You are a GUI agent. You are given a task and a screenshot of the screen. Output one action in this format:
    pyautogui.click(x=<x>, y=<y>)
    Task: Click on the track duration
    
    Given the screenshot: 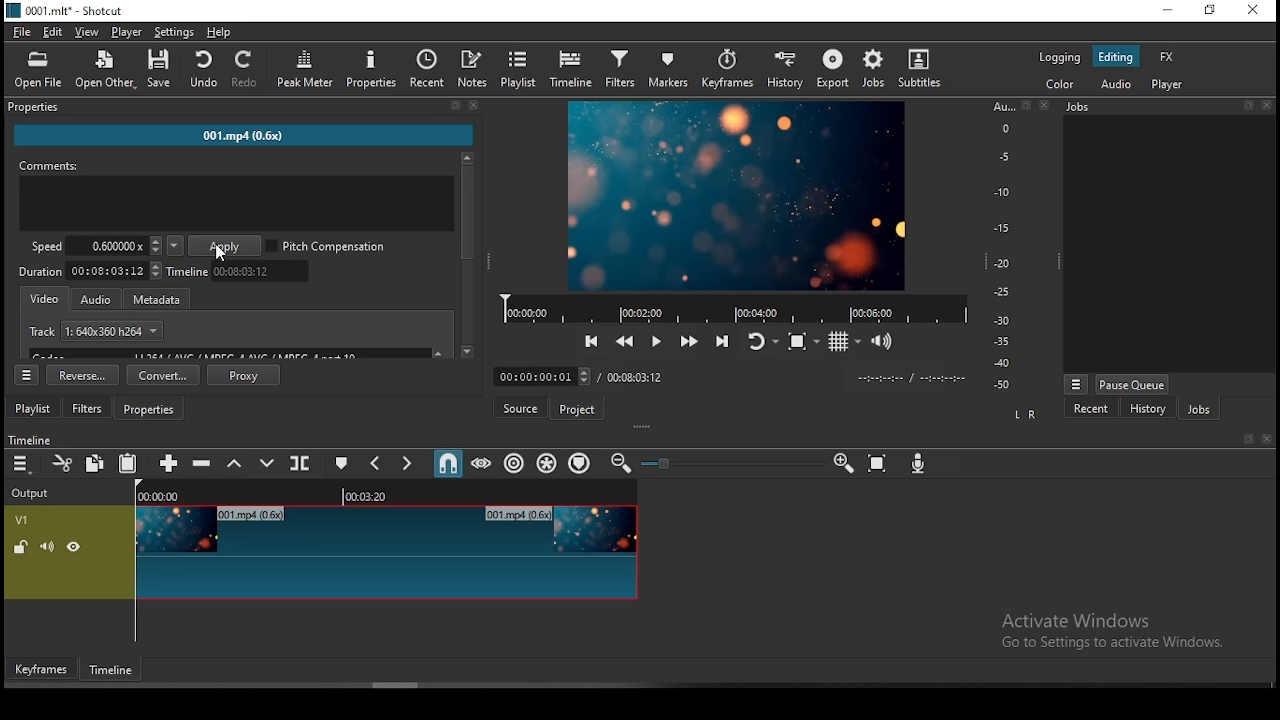 What is the action you would take?
    pyautogui.click(x=635, y=379)
    